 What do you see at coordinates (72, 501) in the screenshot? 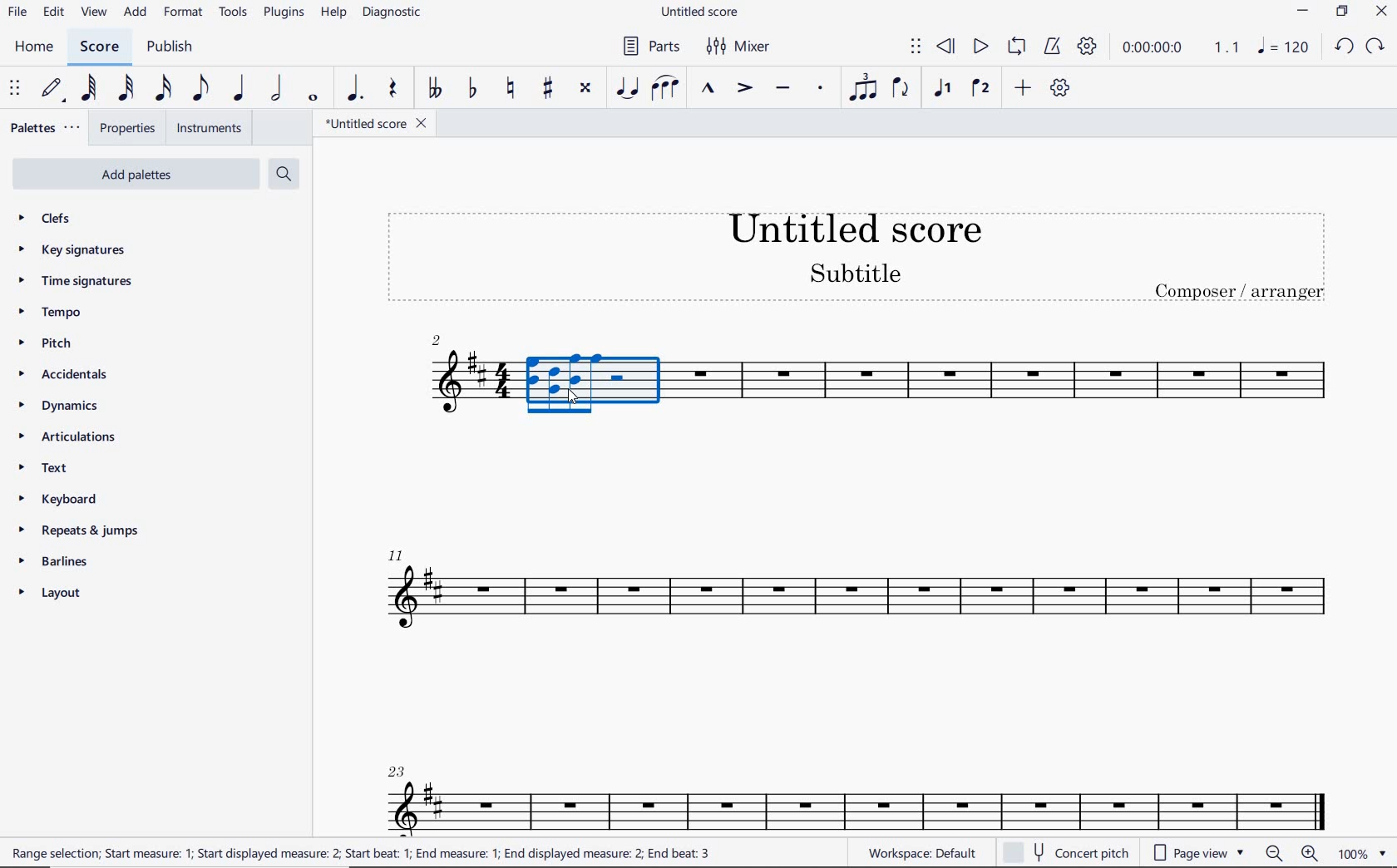
I see `KEYBOARD` at bounding box center [72, 501].